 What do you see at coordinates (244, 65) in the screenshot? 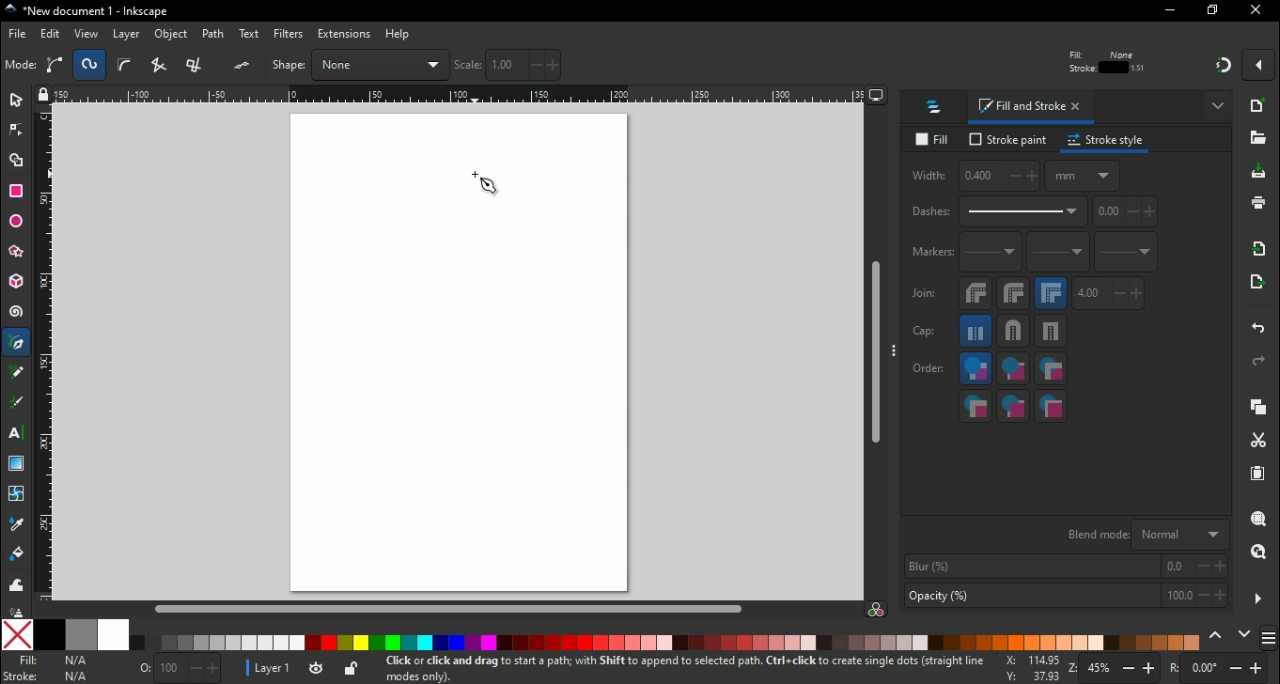
I see `Flatten spiro or BSpline LPE` at bounding box center [244, 65].